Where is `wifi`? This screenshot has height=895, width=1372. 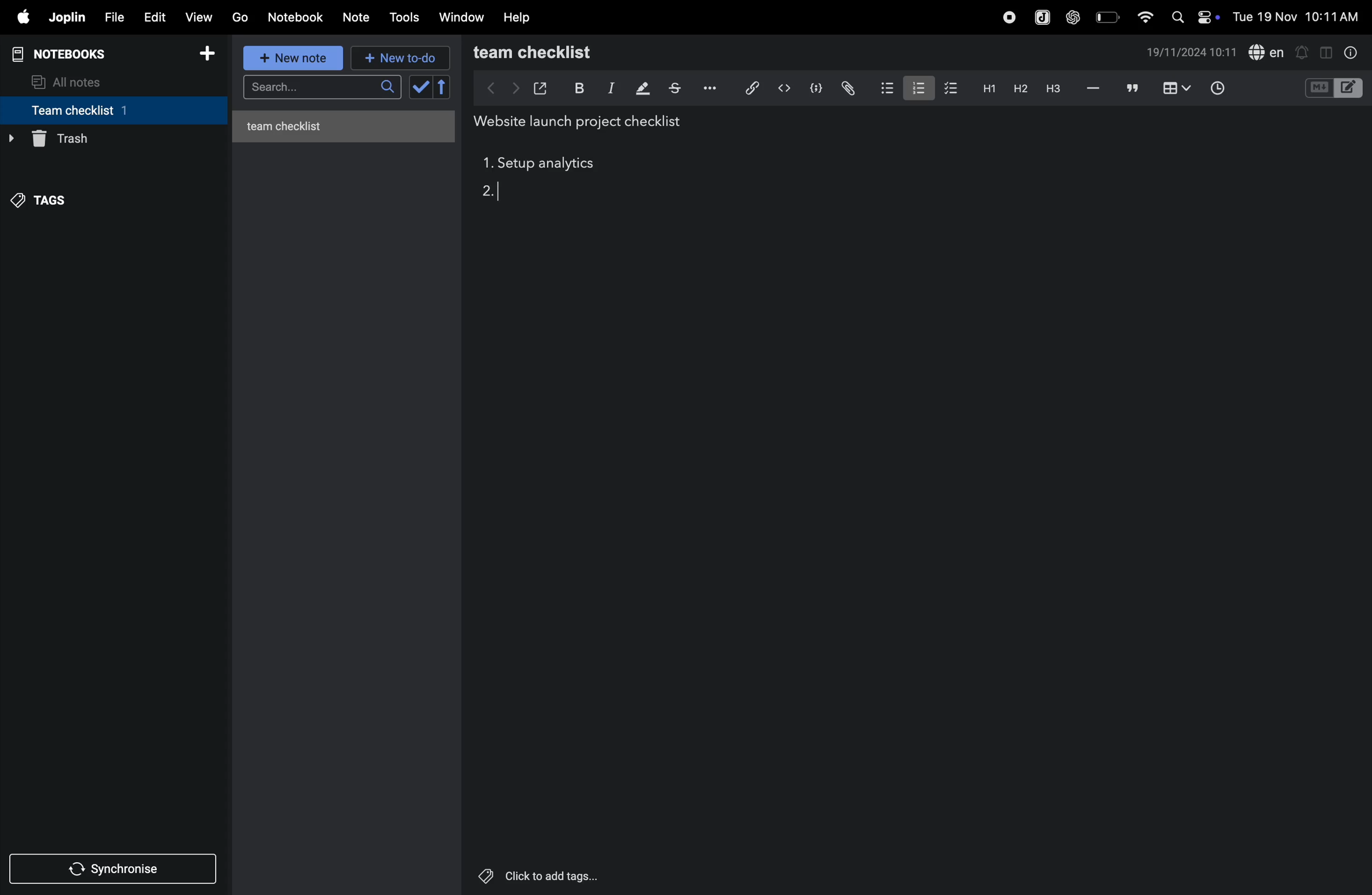 wifi is located at coordinates (1141, 16).